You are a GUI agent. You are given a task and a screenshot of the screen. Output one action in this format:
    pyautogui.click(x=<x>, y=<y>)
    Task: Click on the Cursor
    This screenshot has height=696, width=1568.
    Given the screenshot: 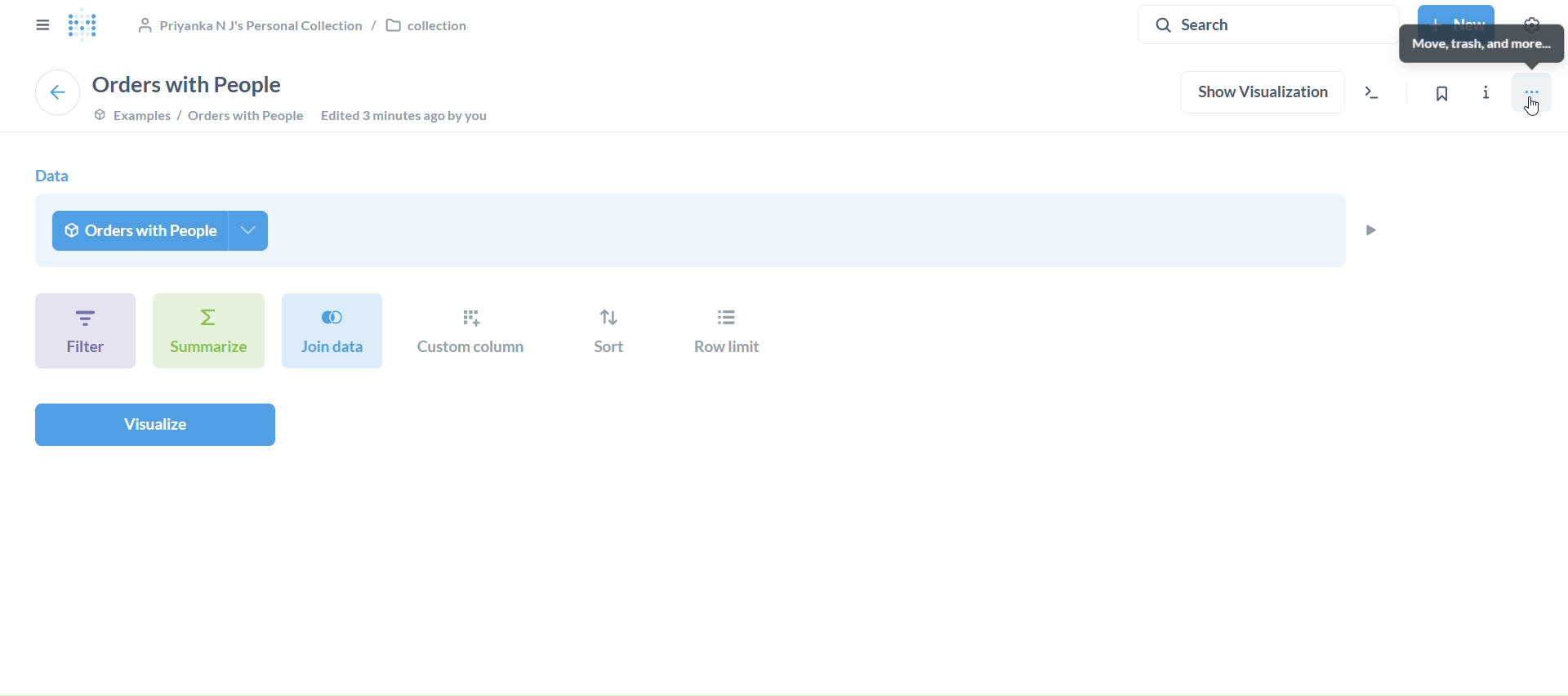 What is the action you would take?
    pyautogui.click(x=1532, y=106)
    